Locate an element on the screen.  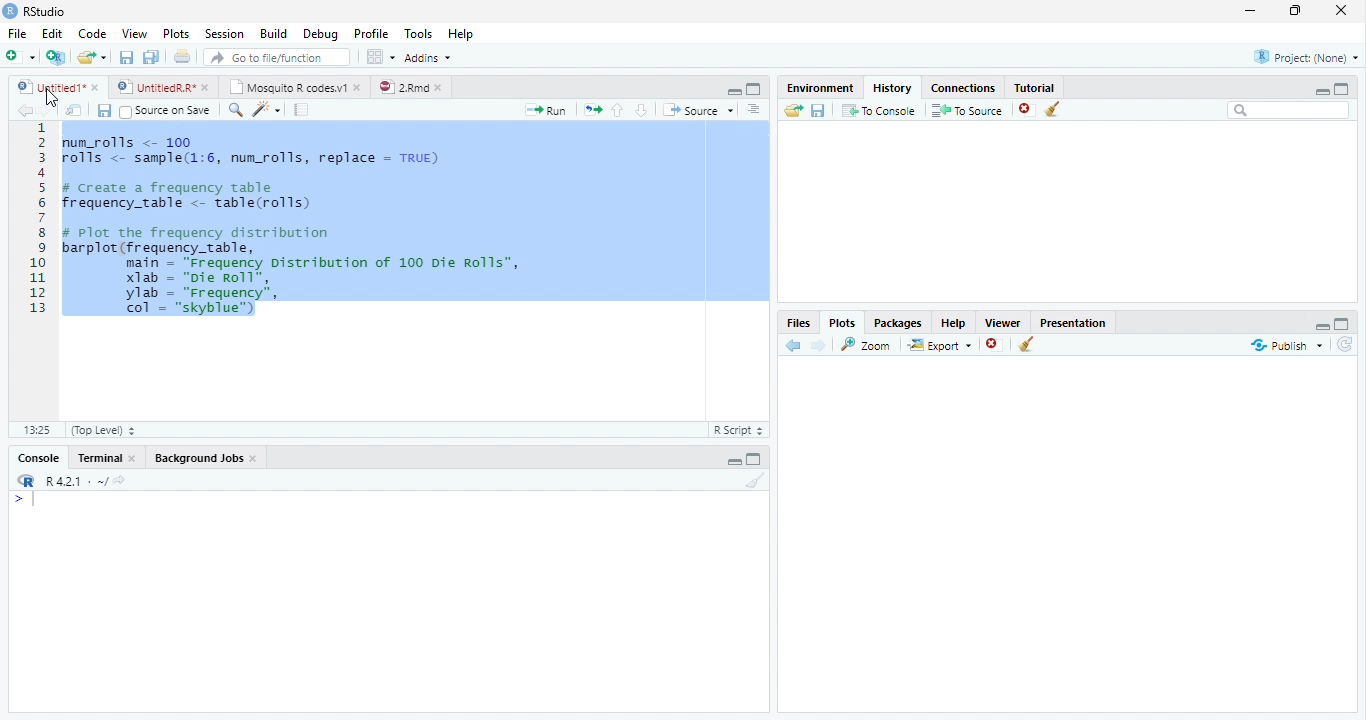
(Top Level) is located at coordinates (103, 430).